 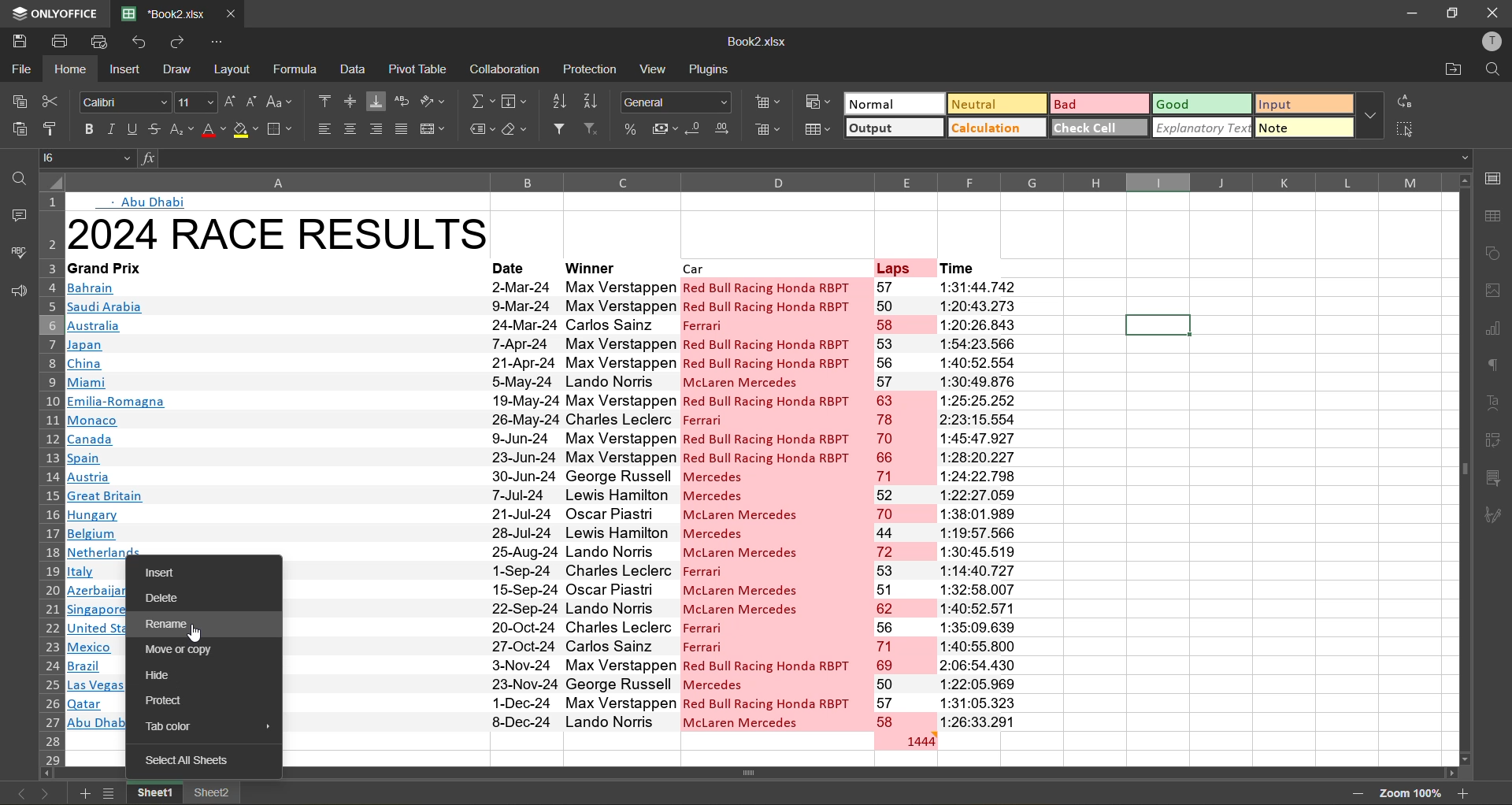 I want to click on paste, so click(x=20, y=132).